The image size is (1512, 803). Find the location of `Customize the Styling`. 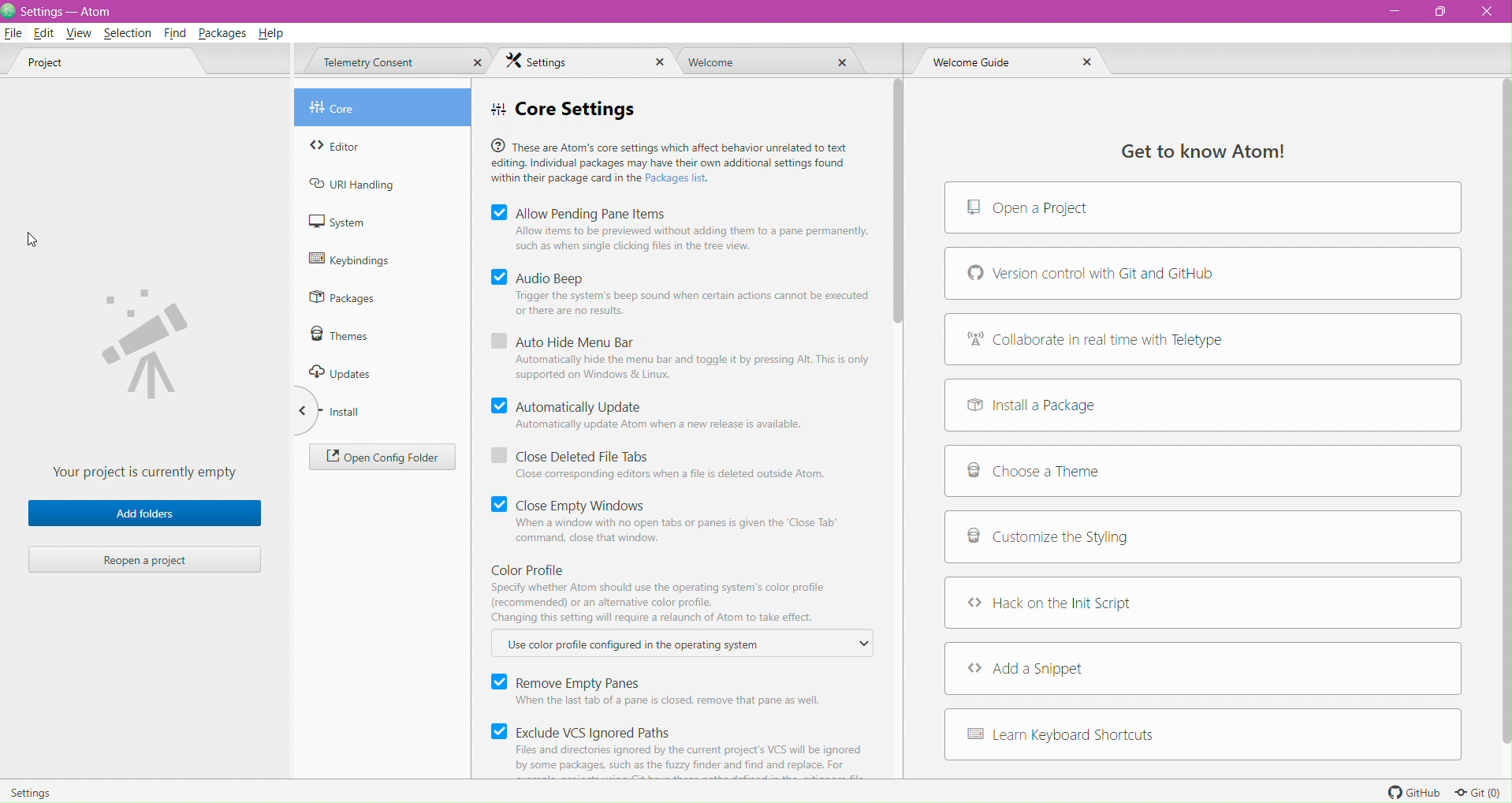

Customize the Styling is located at coordinates (1203, 540).